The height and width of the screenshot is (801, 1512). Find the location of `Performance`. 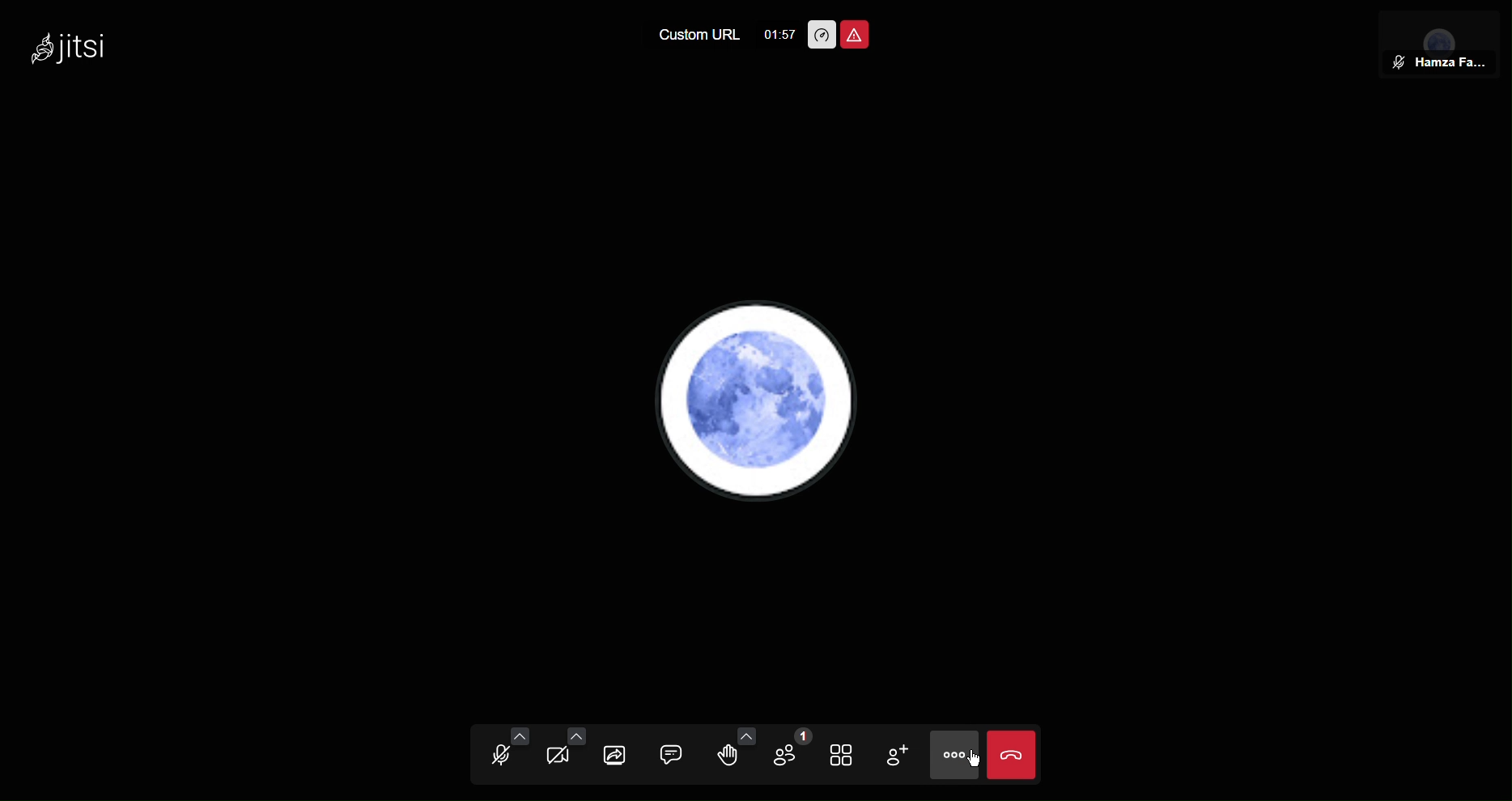

Performance is located at coordinates (821, 34).